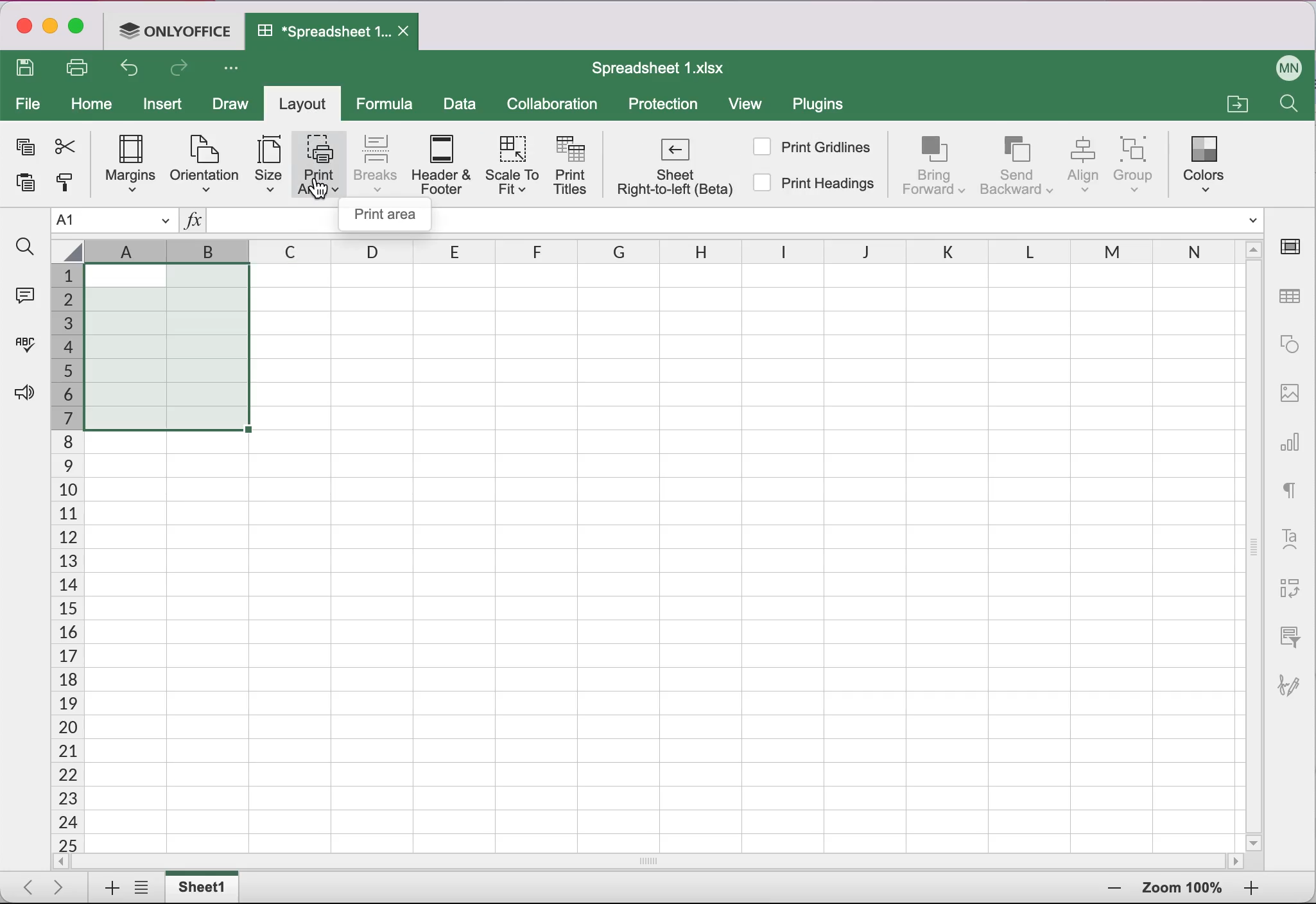 The height and width of the screenshot is (904, 1316). I want to click on slicer, so click(1287, 636).